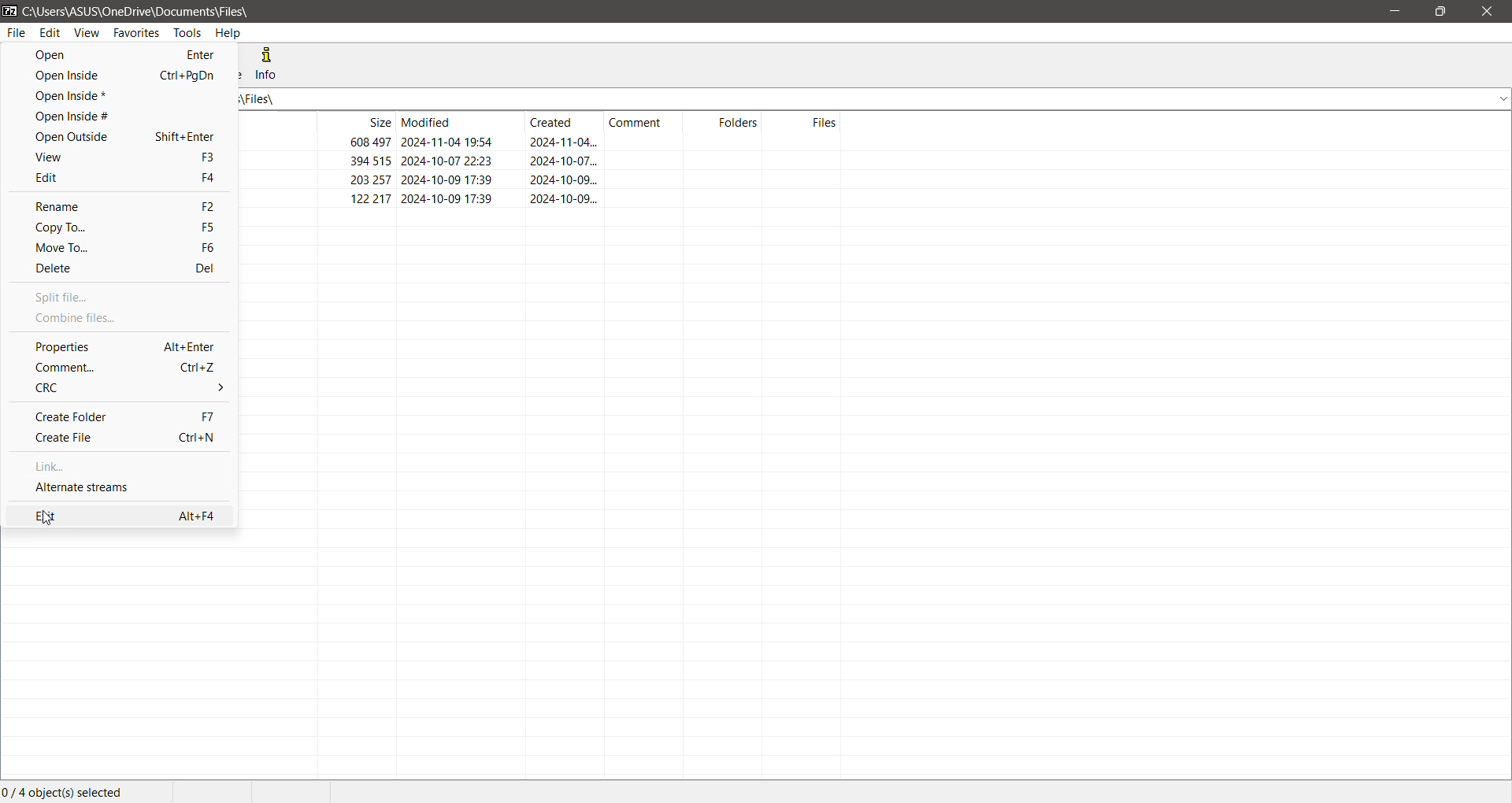 This screenshot has width=1512, height=803. I want to click on Create Folder, so click(128, 415).